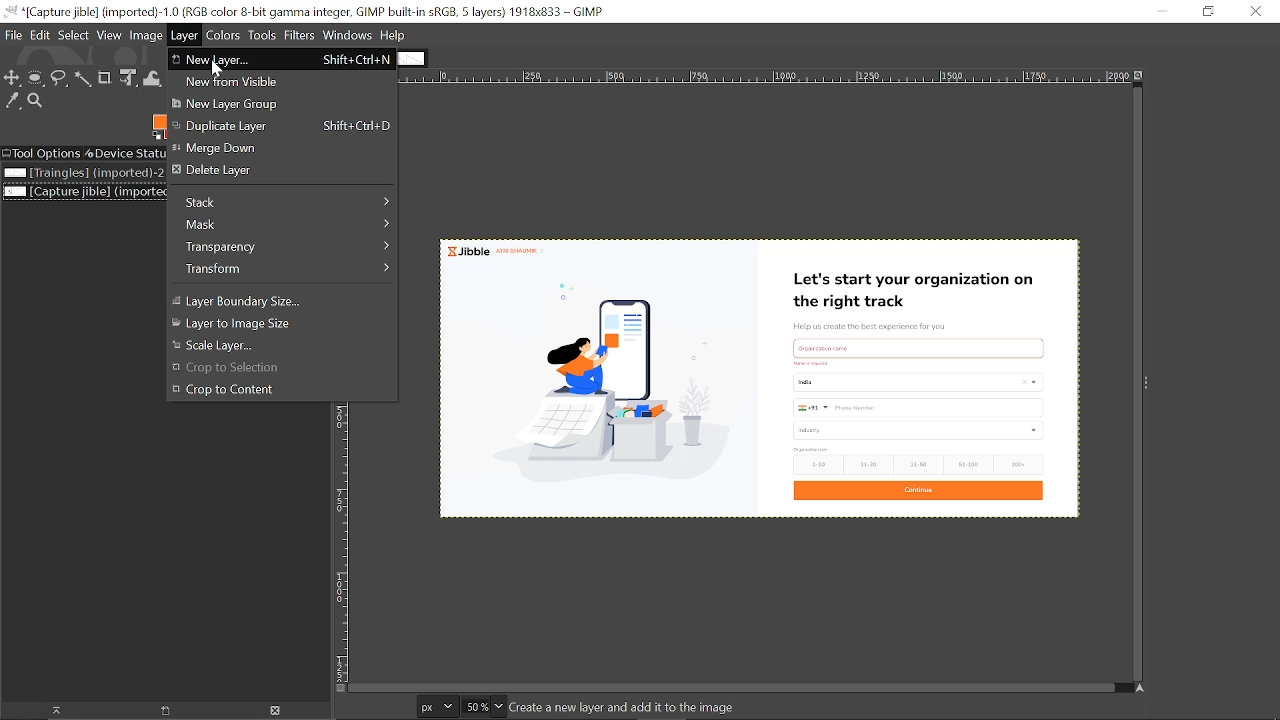 This screenshot has width=1280, height=720. What do you see at coordinates (283, 301) in the screenshot?
I see `Layer Boundary size` at bounding box center [283, 301].